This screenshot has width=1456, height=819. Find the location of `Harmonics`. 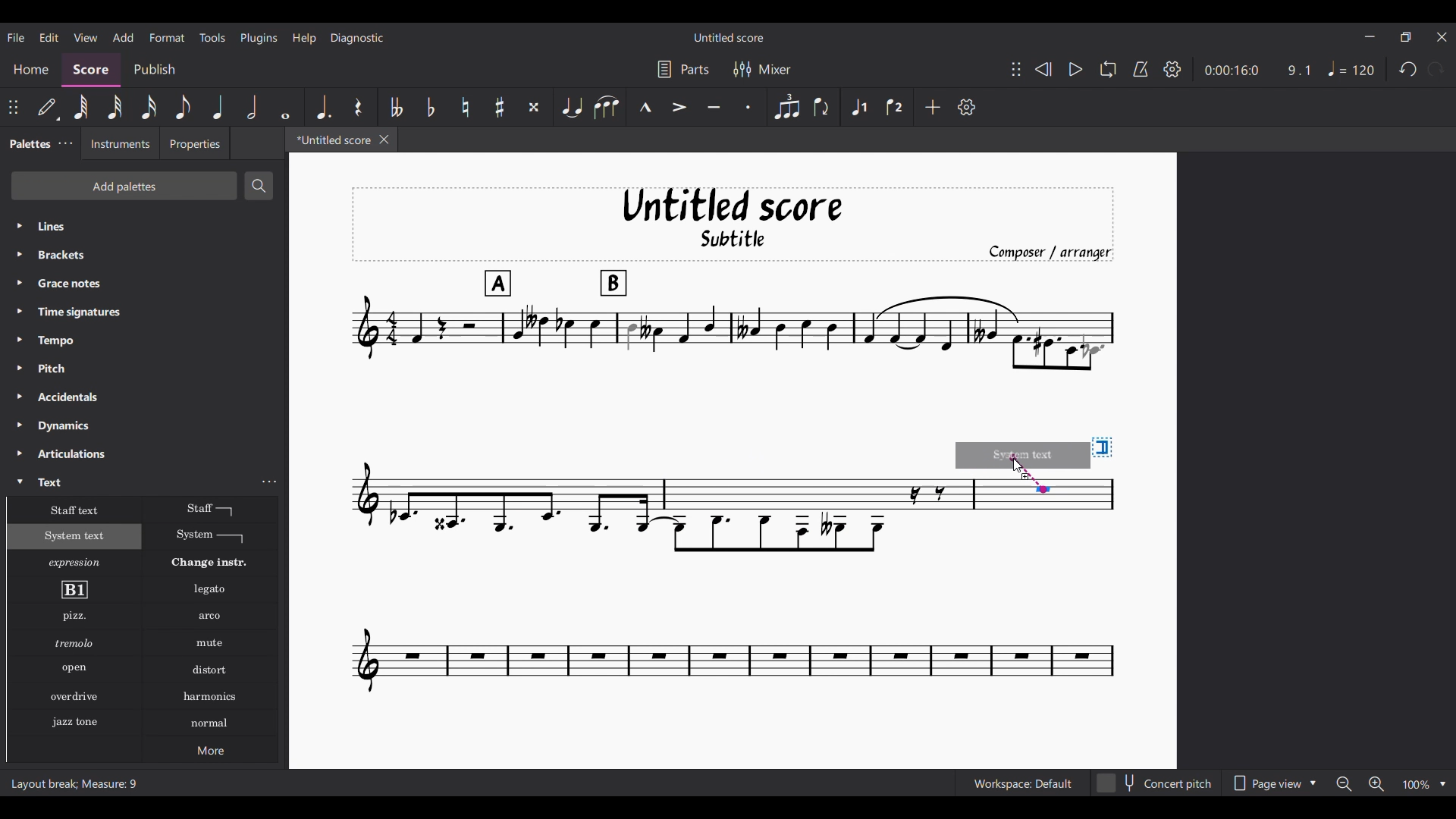

Harmonics is located at coordinates (209, 697).